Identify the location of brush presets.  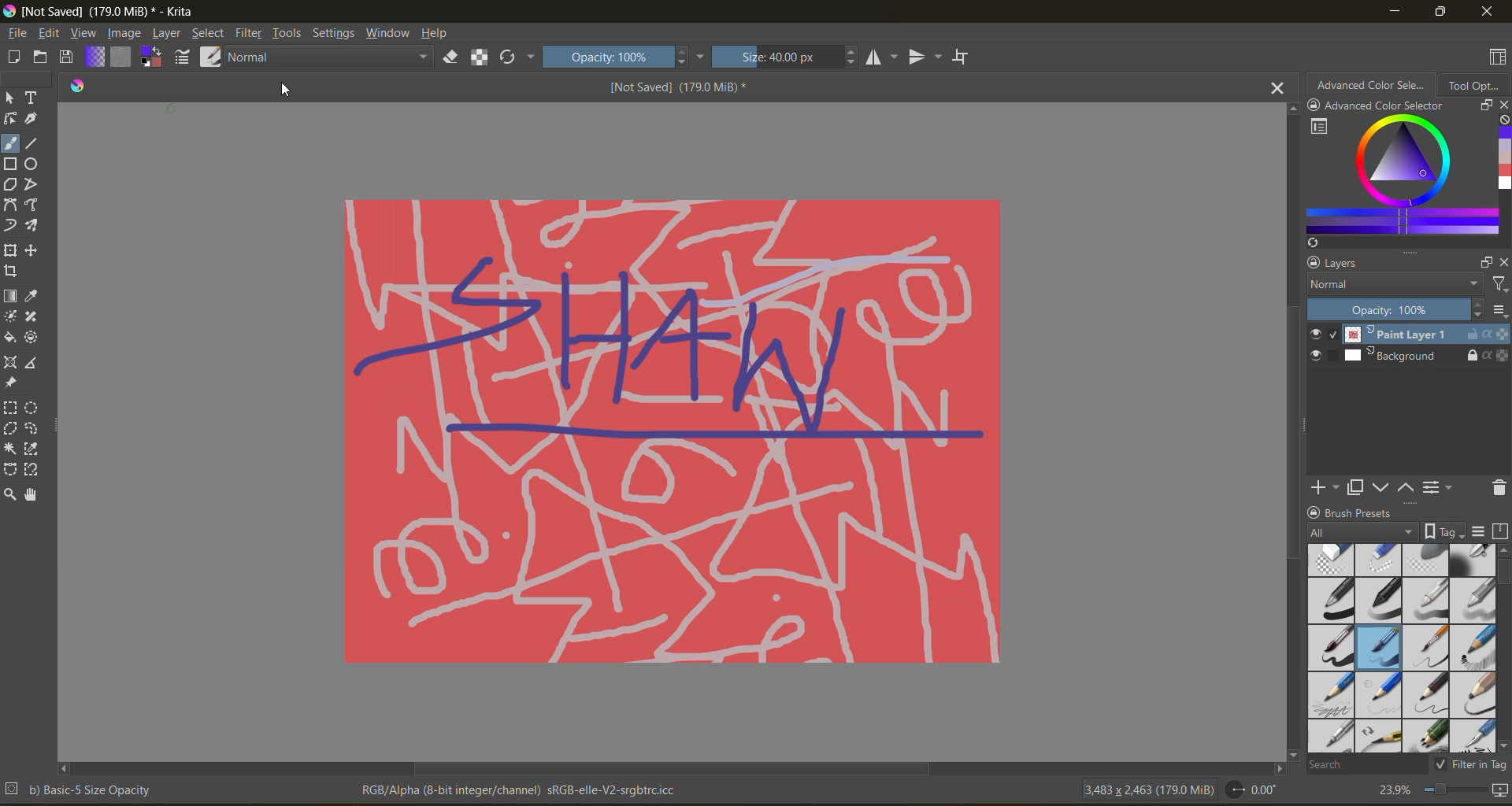
(1403, 649).